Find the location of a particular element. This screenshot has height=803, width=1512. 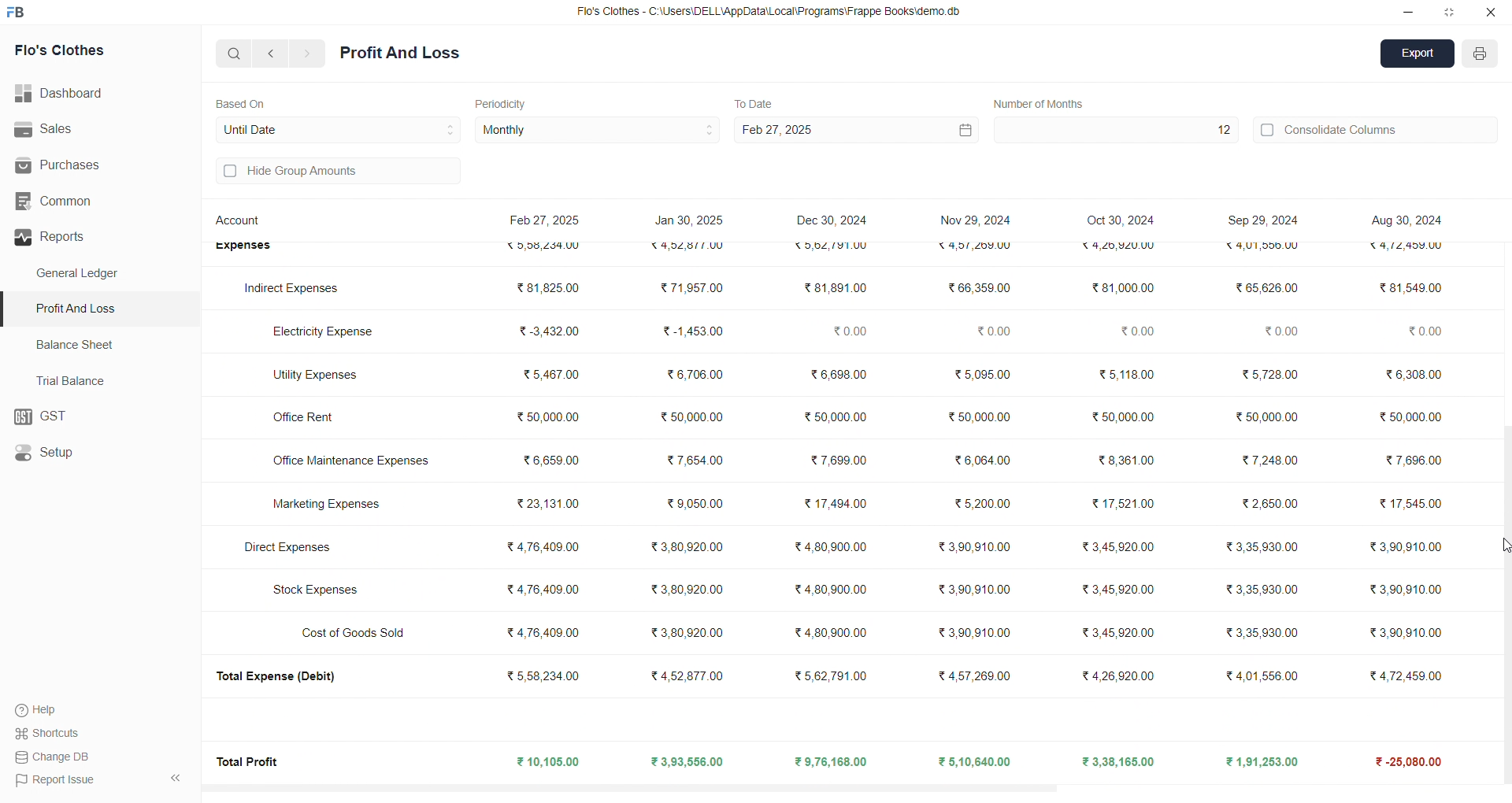

Sales is located at coordinates (90, 130).